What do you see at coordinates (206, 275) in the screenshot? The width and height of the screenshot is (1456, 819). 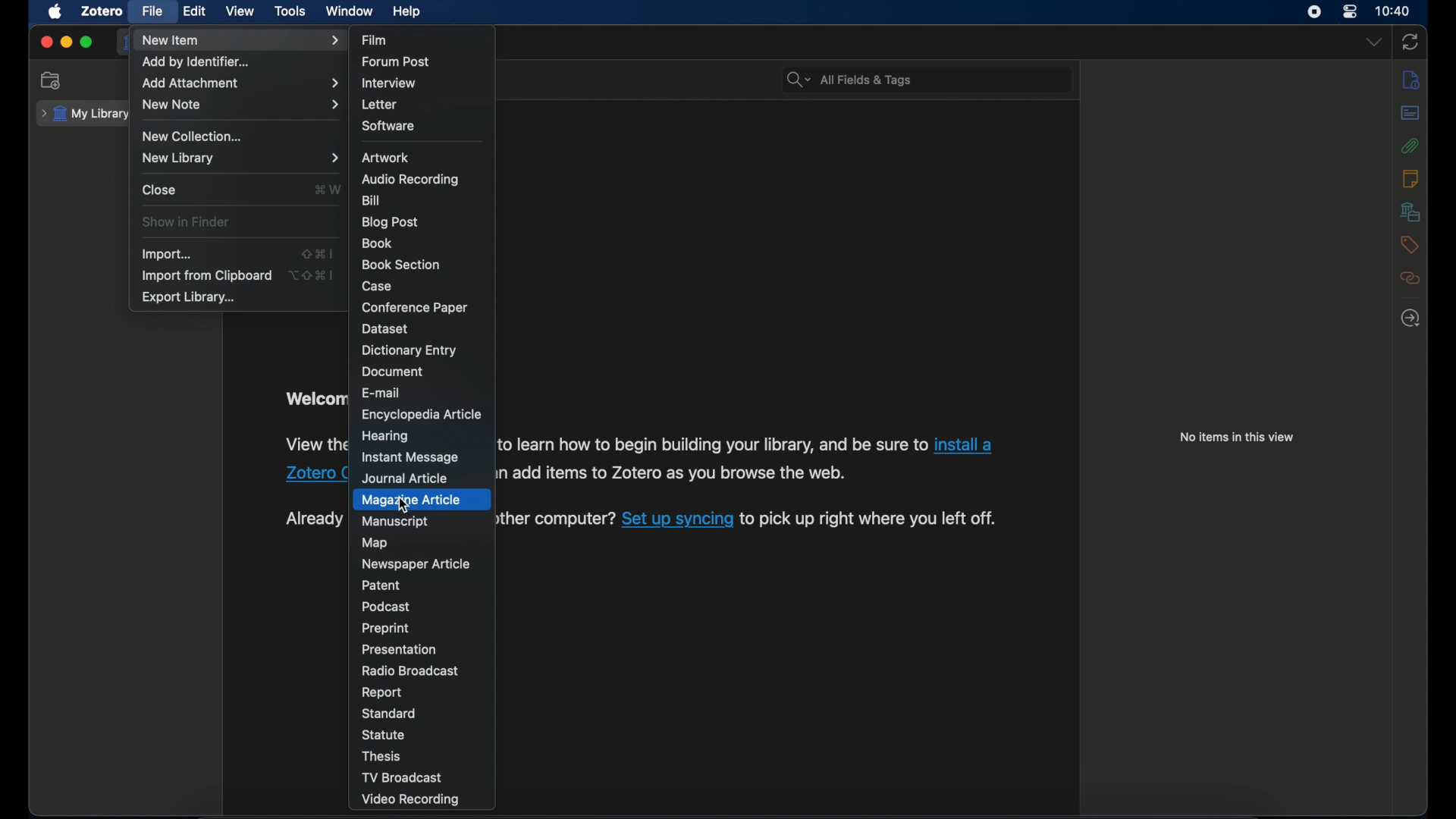 I see `import from clipboard` at bounding box center [206, 275].